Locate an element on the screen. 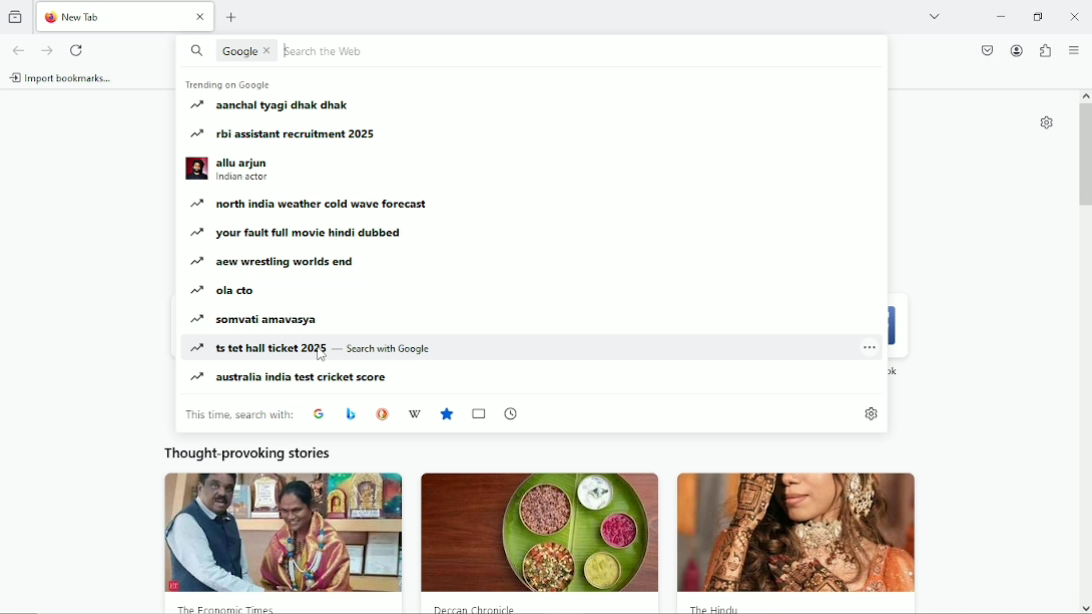 This screenshot has height=614, width=1092. extensions is located at coordinates (1047, 49).